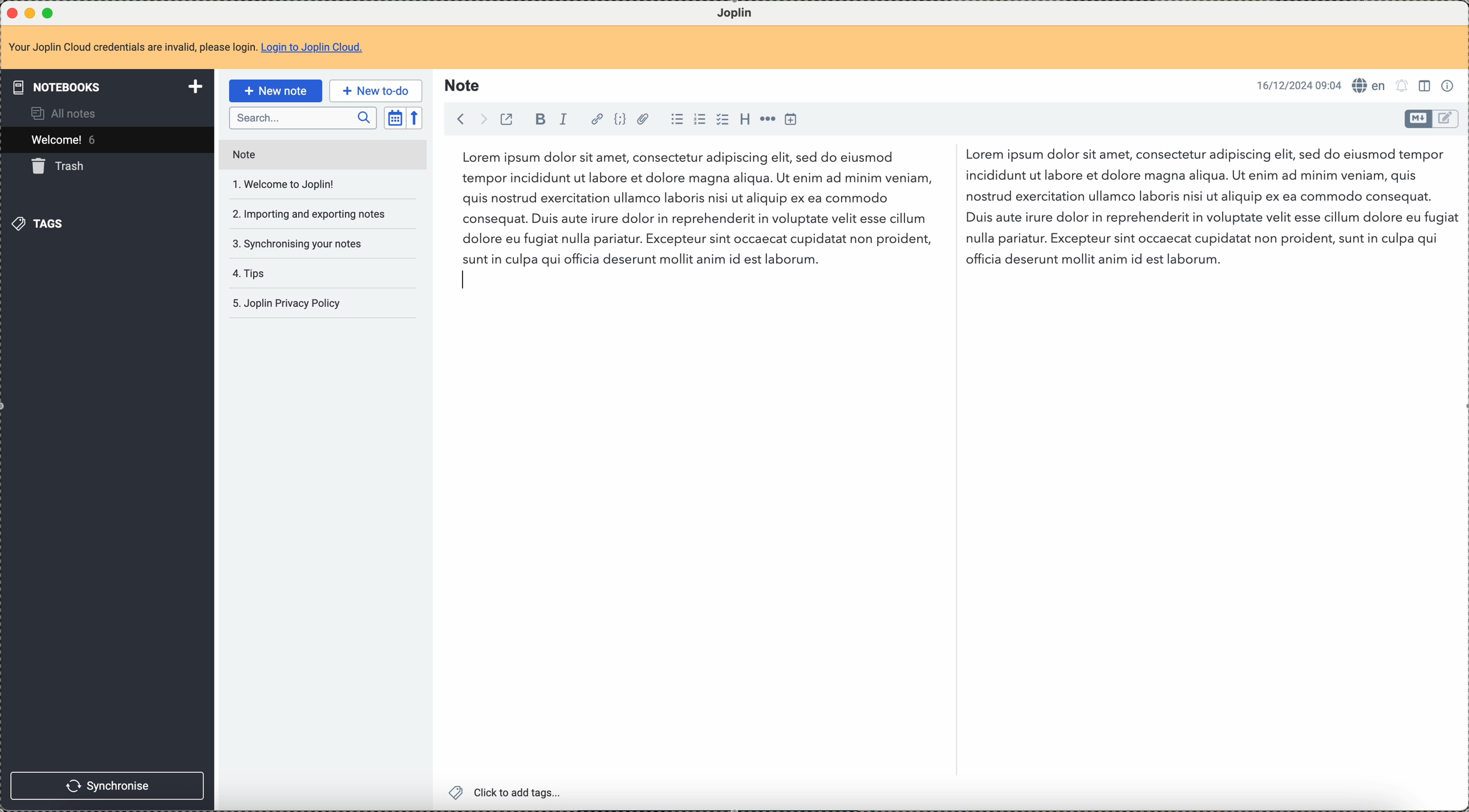  Describe the element at coordinates (688, 212) in the screenshot. I see `Lorem ipsum dolor sit amet, consectetur...` at that location.